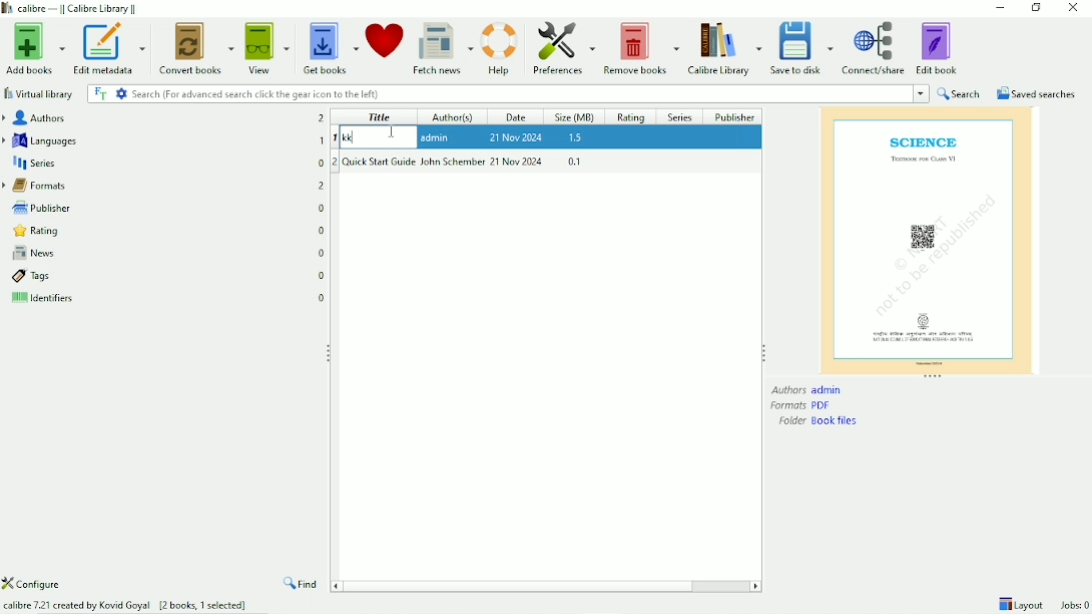 Image resolution: width=1092 pixels, height=614 pixels. What do you see at coordinates (802, 48) in the screenshot?
I see `Save to disk` at bounding box center [802, 48].